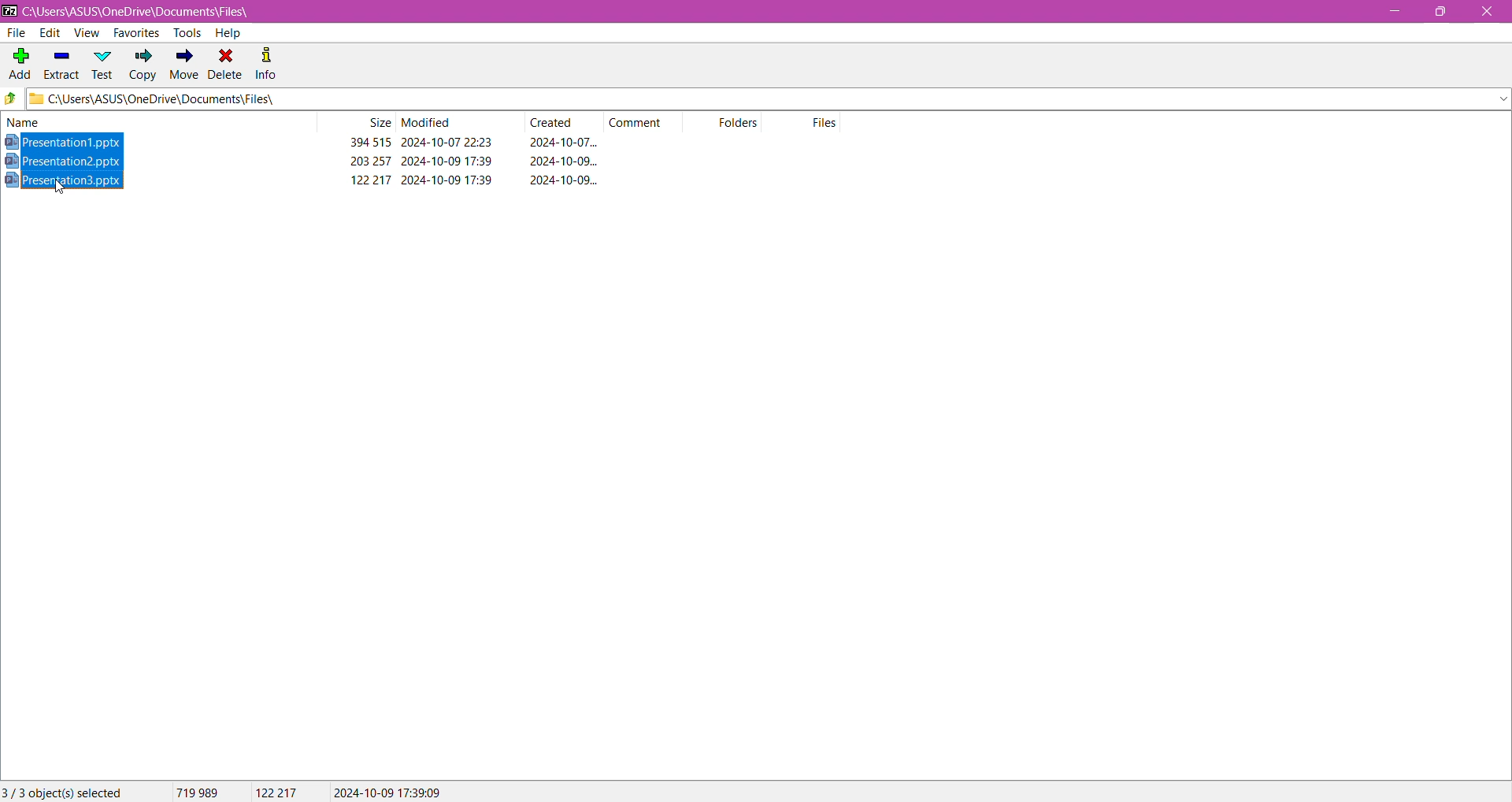  What do you see at coordinates (315, 180) in the screenshot?
I see `Presentation3.pptx 122217 2024-10-09 17:39 2024-10-09...` at bounding box center [315, 180].